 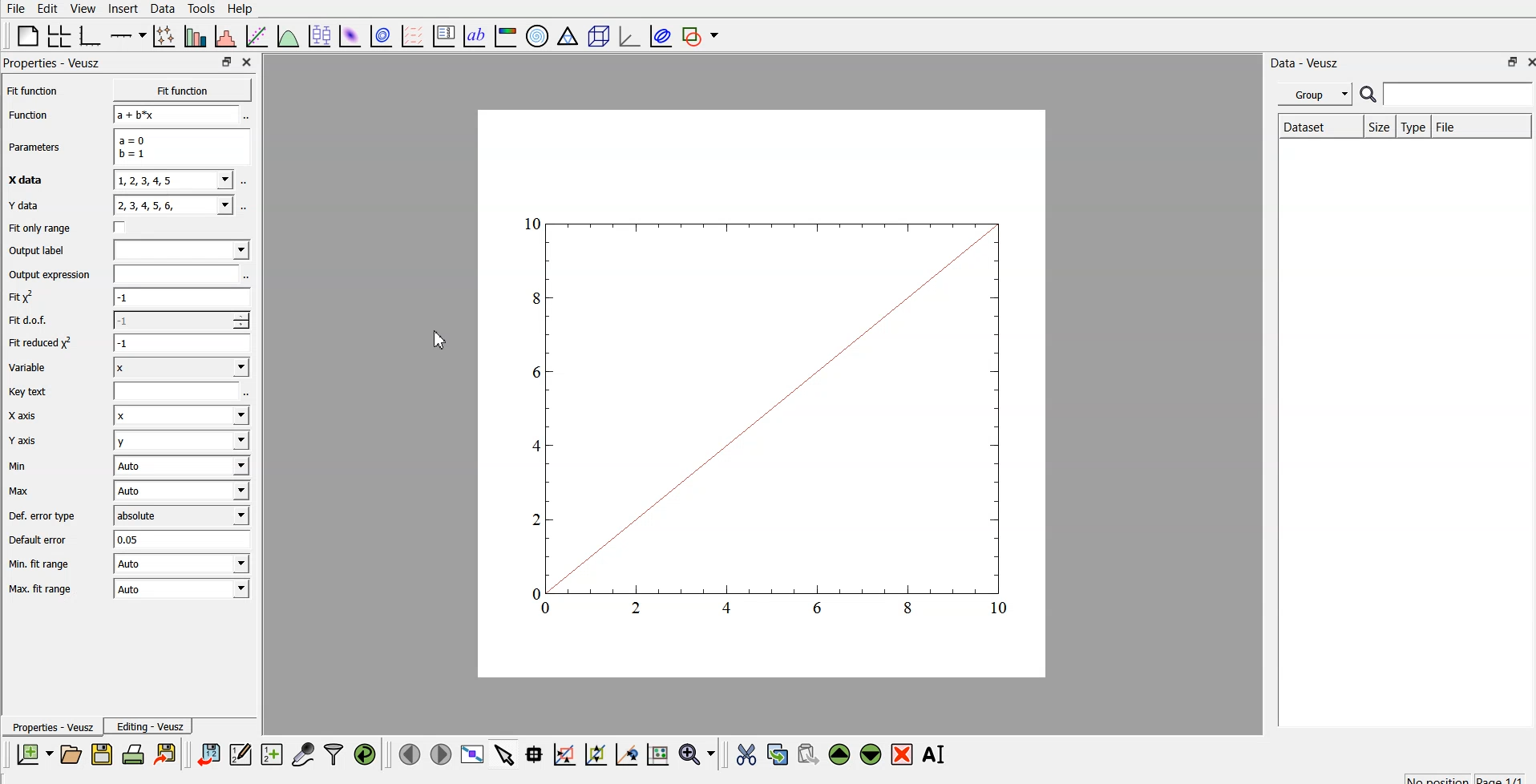 What do you see at coordinates (367, 755) in the screenshot?
I see `reload linked data sets` at bounding box center [367, 755].